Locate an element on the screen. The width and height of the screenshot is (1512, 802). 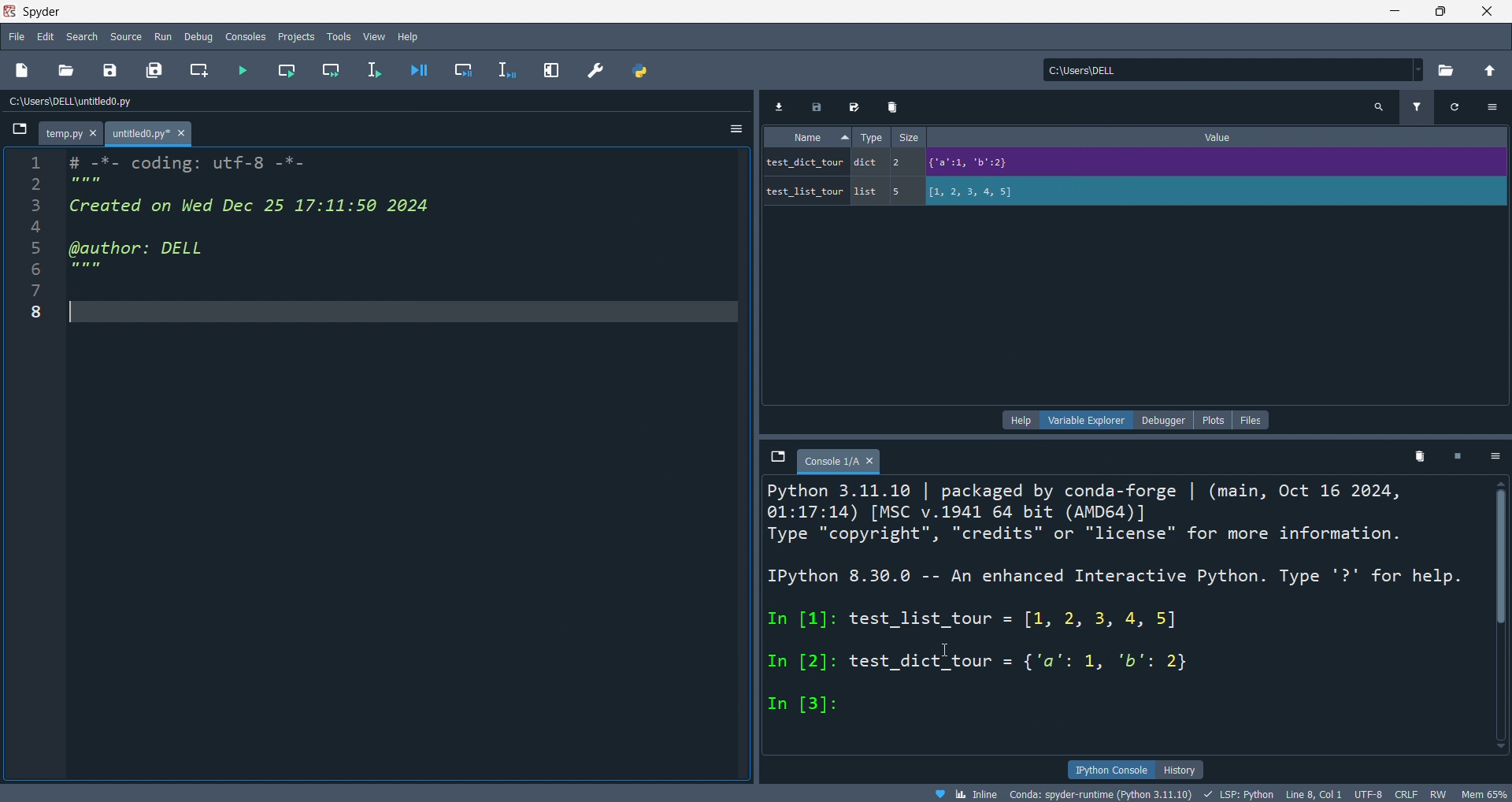
save is located at coordinates (820, 108).